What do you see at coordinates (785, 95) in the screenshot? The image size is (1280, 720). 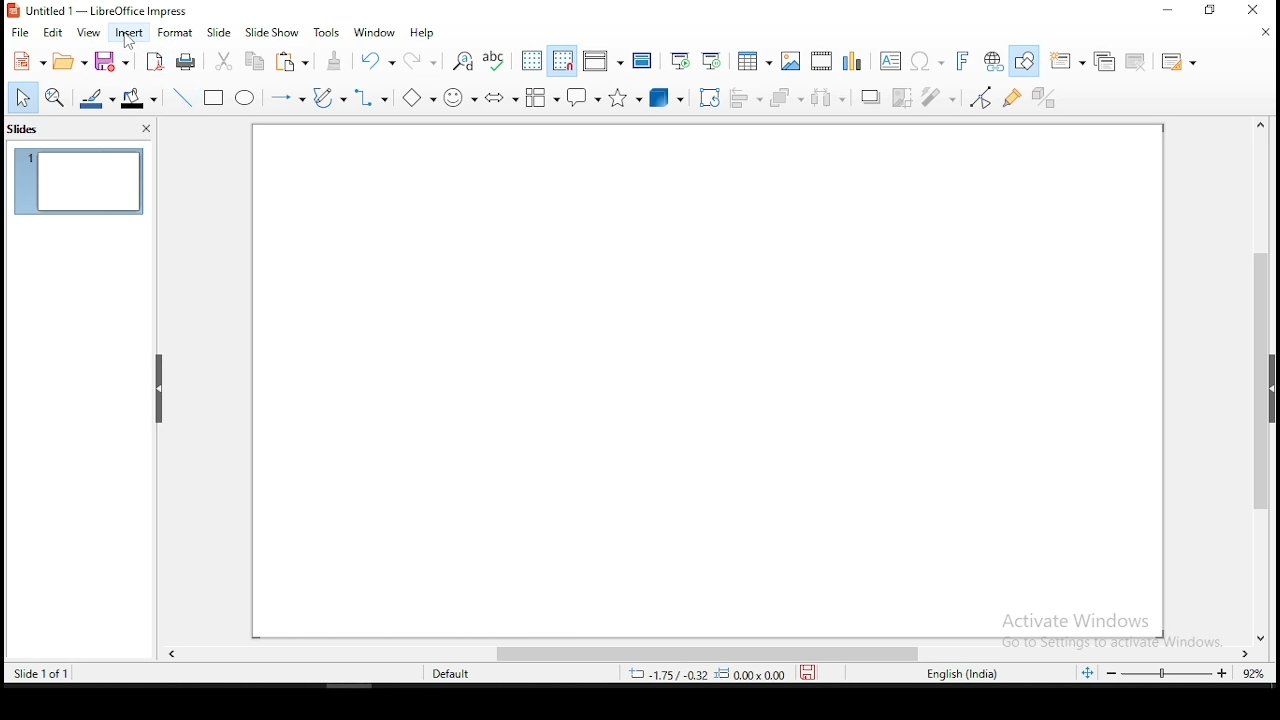 I see `arrange` at bounding box center [785, 95].